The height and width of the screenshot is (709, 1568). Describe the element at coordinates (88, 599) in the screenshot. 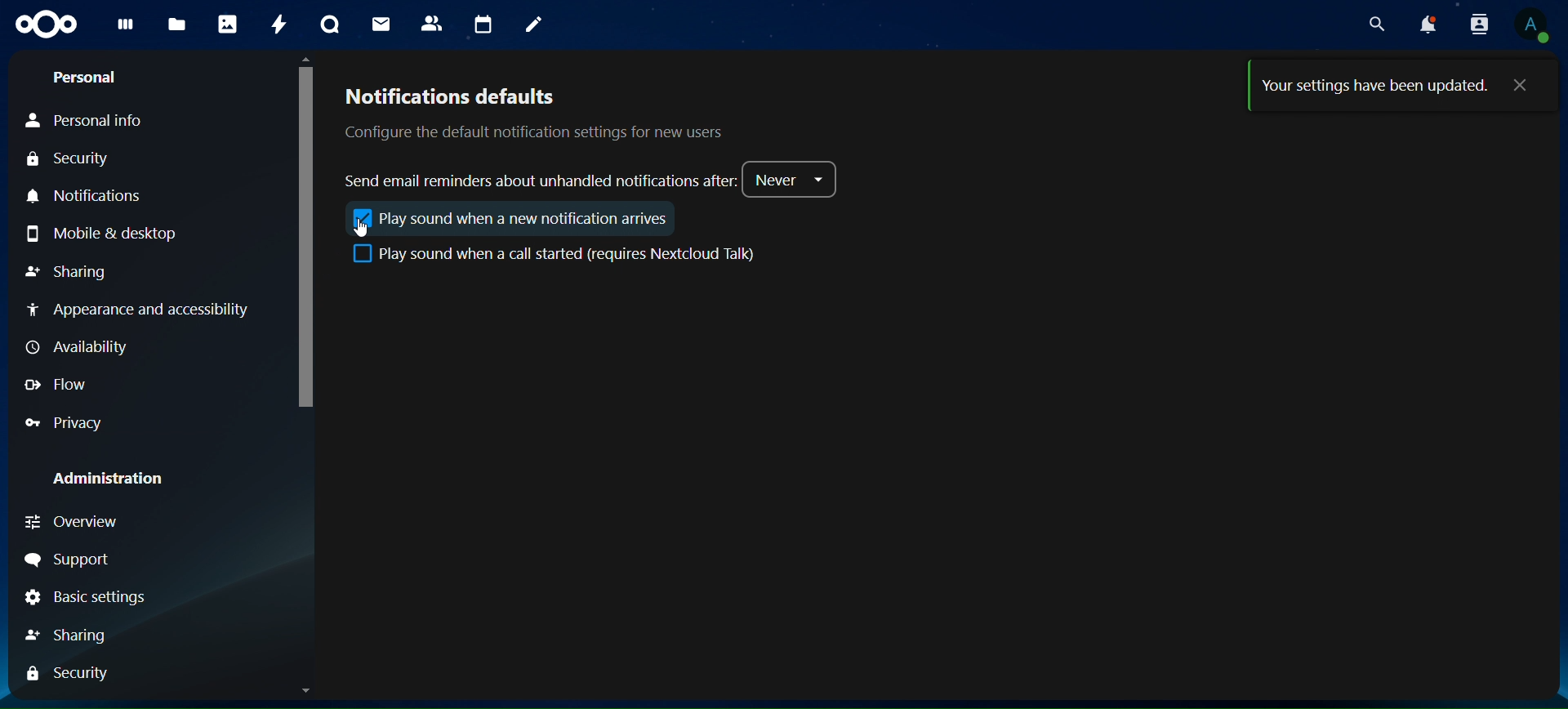

I see `Basic settings` at that location.